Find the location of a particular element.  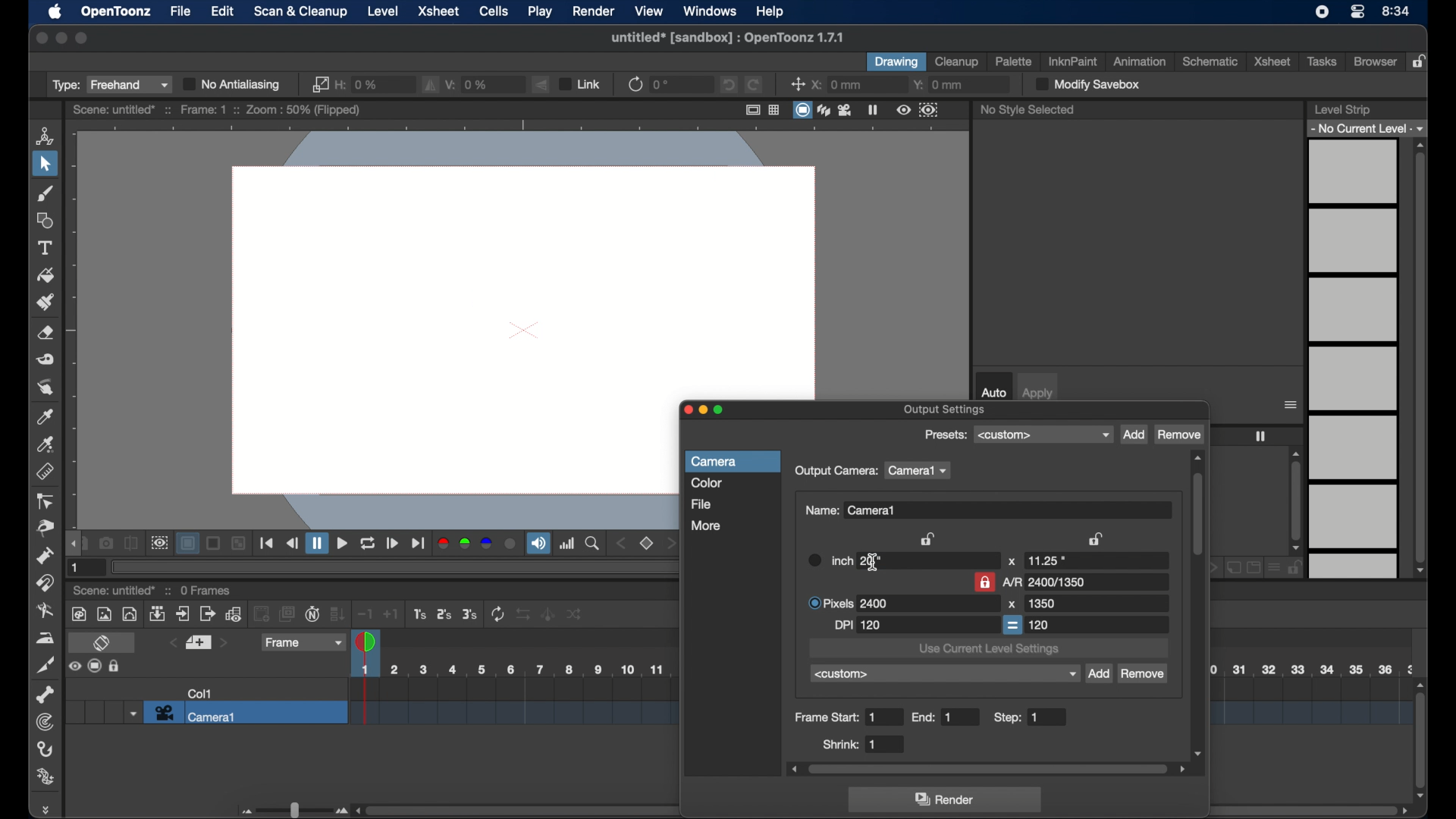

cells is located at coordinates (493, 11).